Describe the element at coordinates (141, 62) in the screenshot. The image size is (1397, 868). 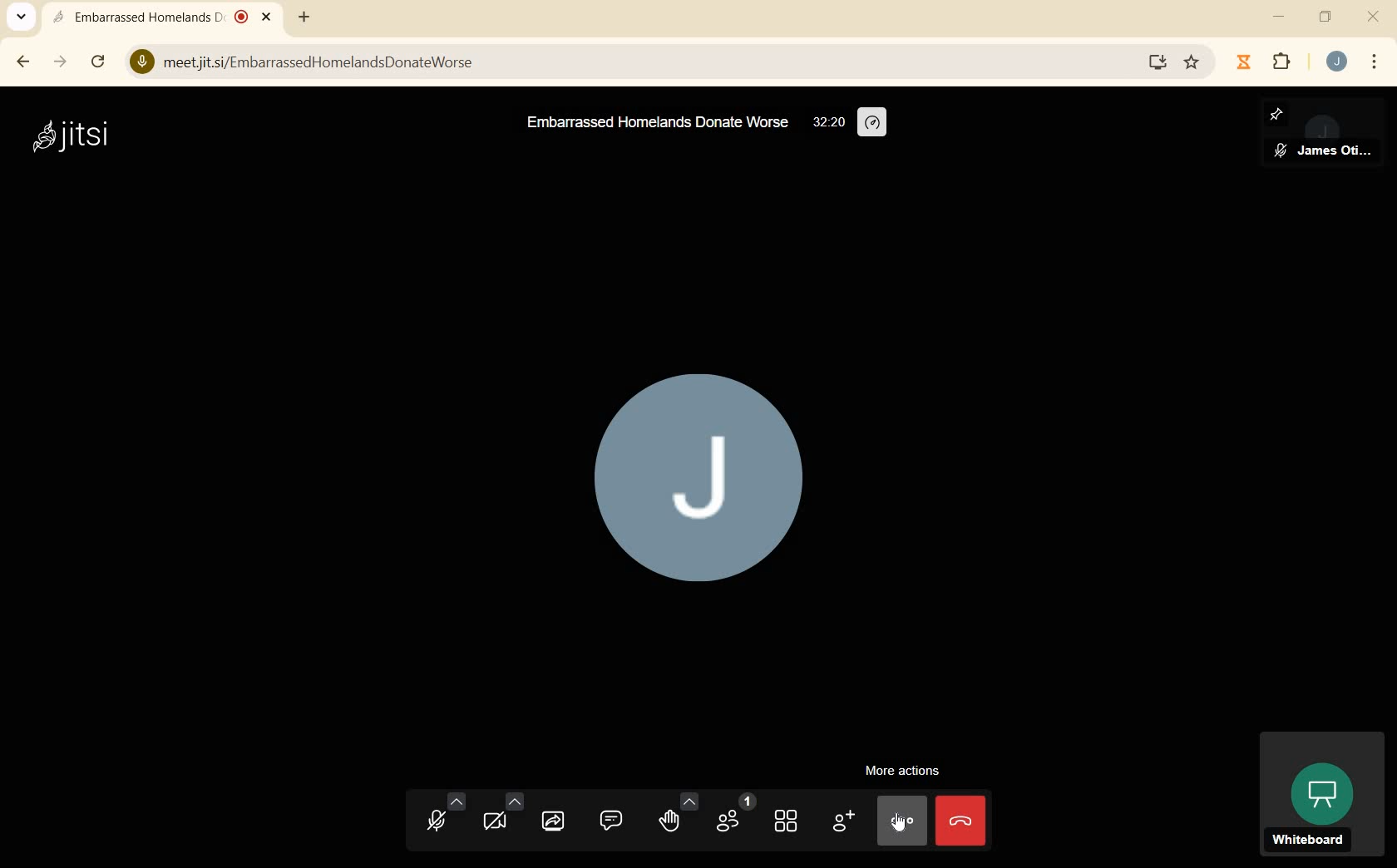
I see `View Site information` at that location.